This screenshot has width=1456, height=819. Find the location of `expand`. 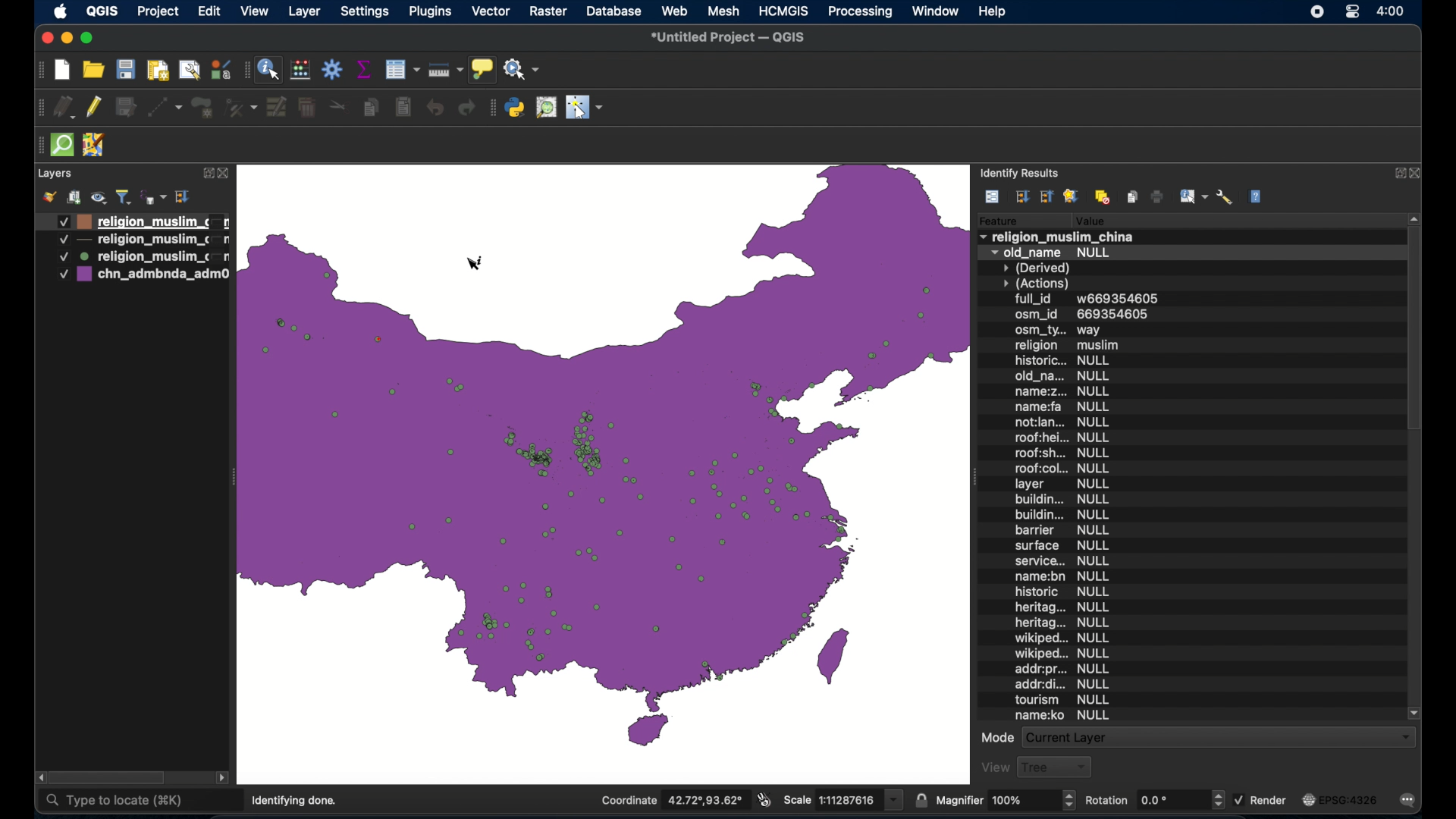

expand is located at coordinates (1023, 195).